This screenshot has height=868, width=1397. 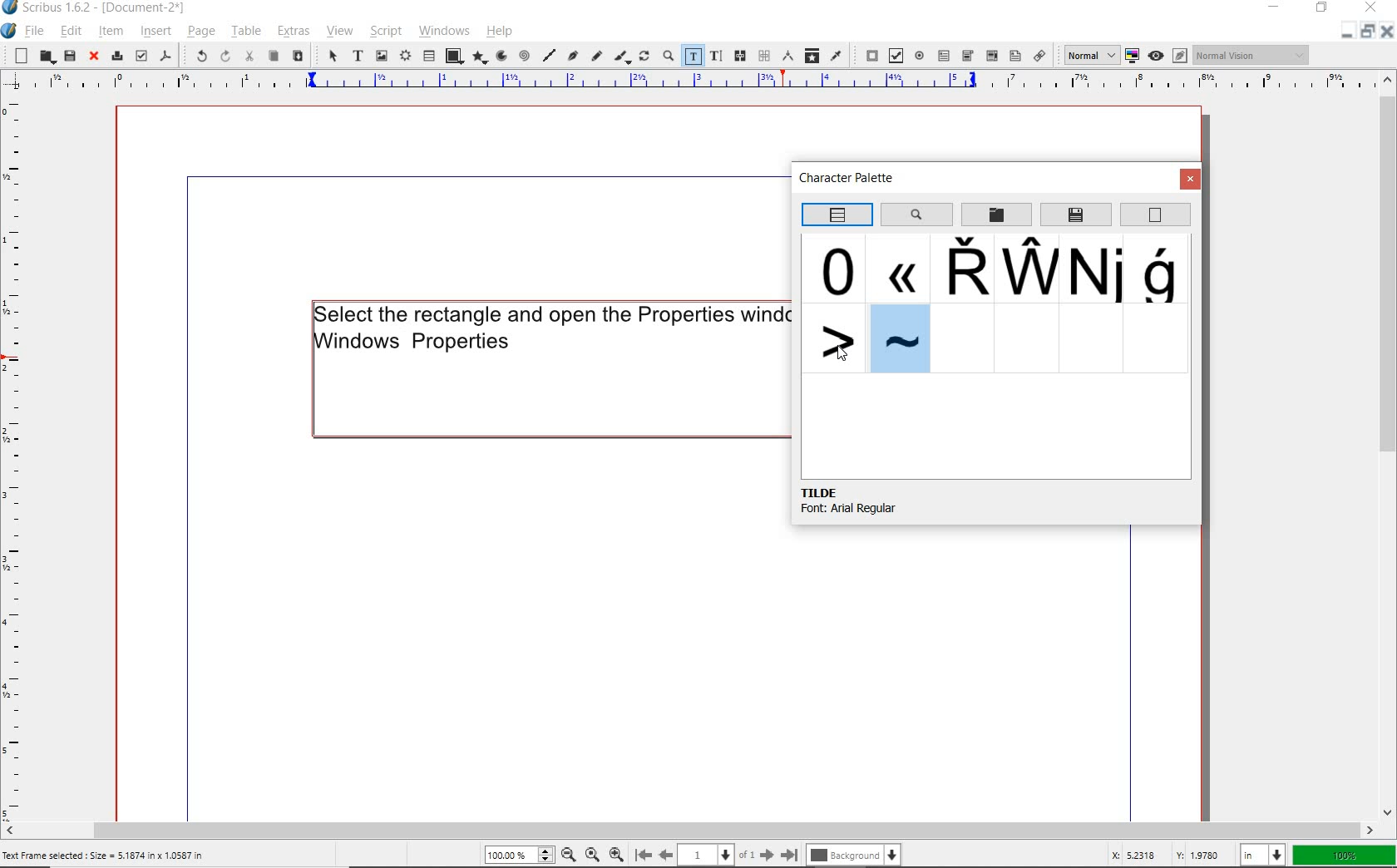 What do you see at coordinates (480, 57) in the screenshot?
I see `polygon` at bounding box center [480, 57].